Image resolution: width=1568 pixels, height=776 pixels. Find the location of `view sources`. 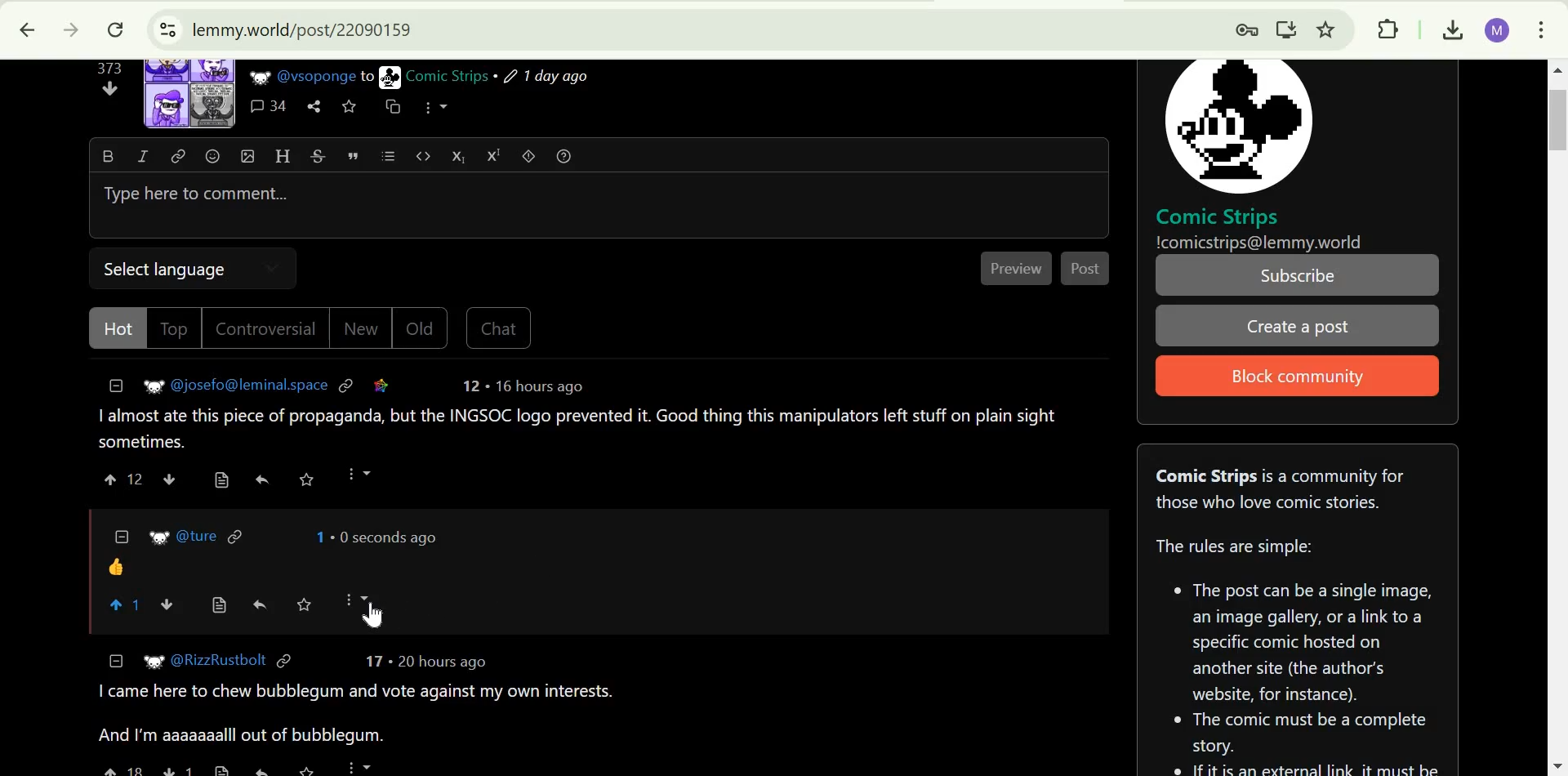

view sources is located at coordinates (220, 606).